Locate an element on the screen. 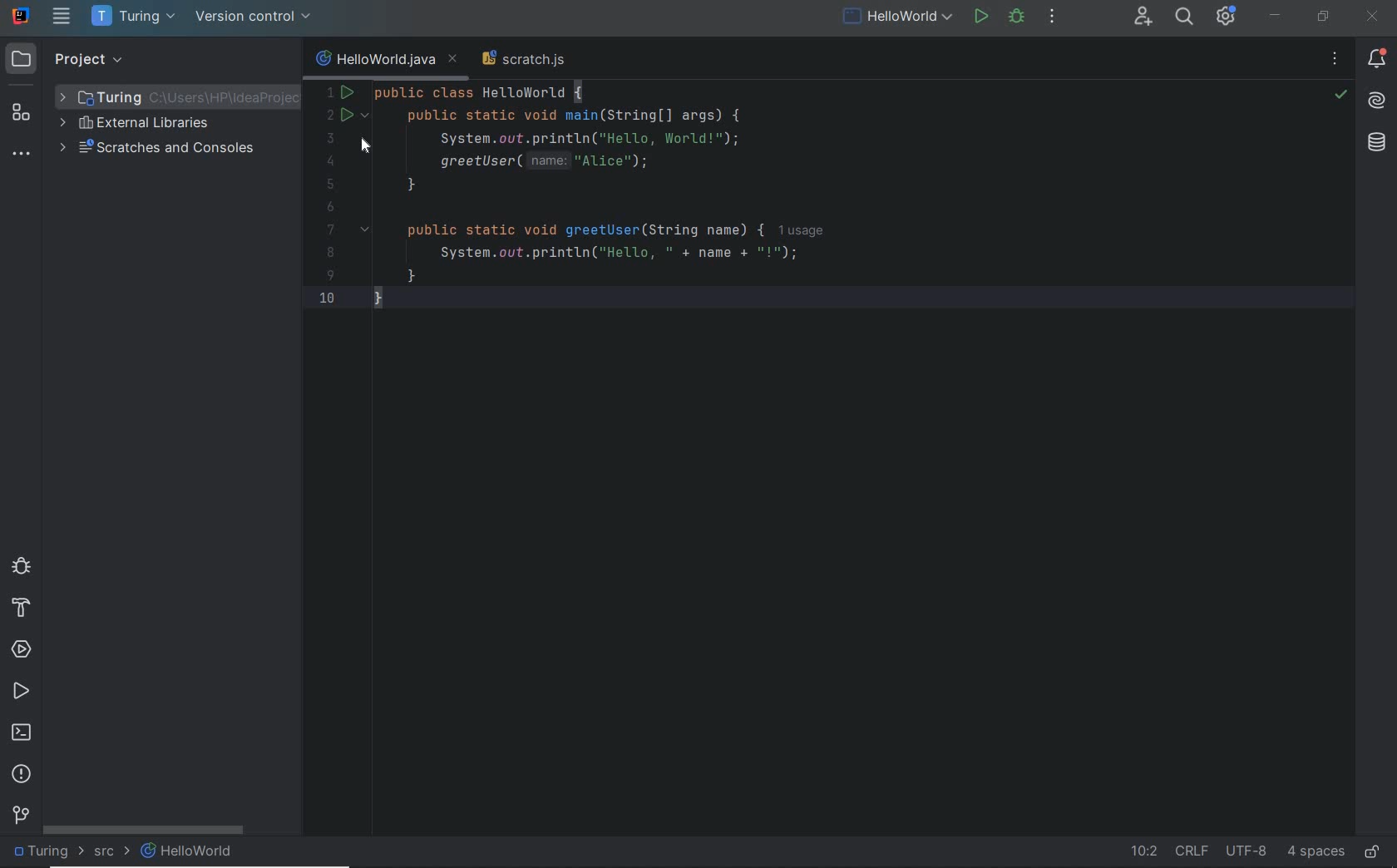  line separator is located at coordinates (1192, 852).